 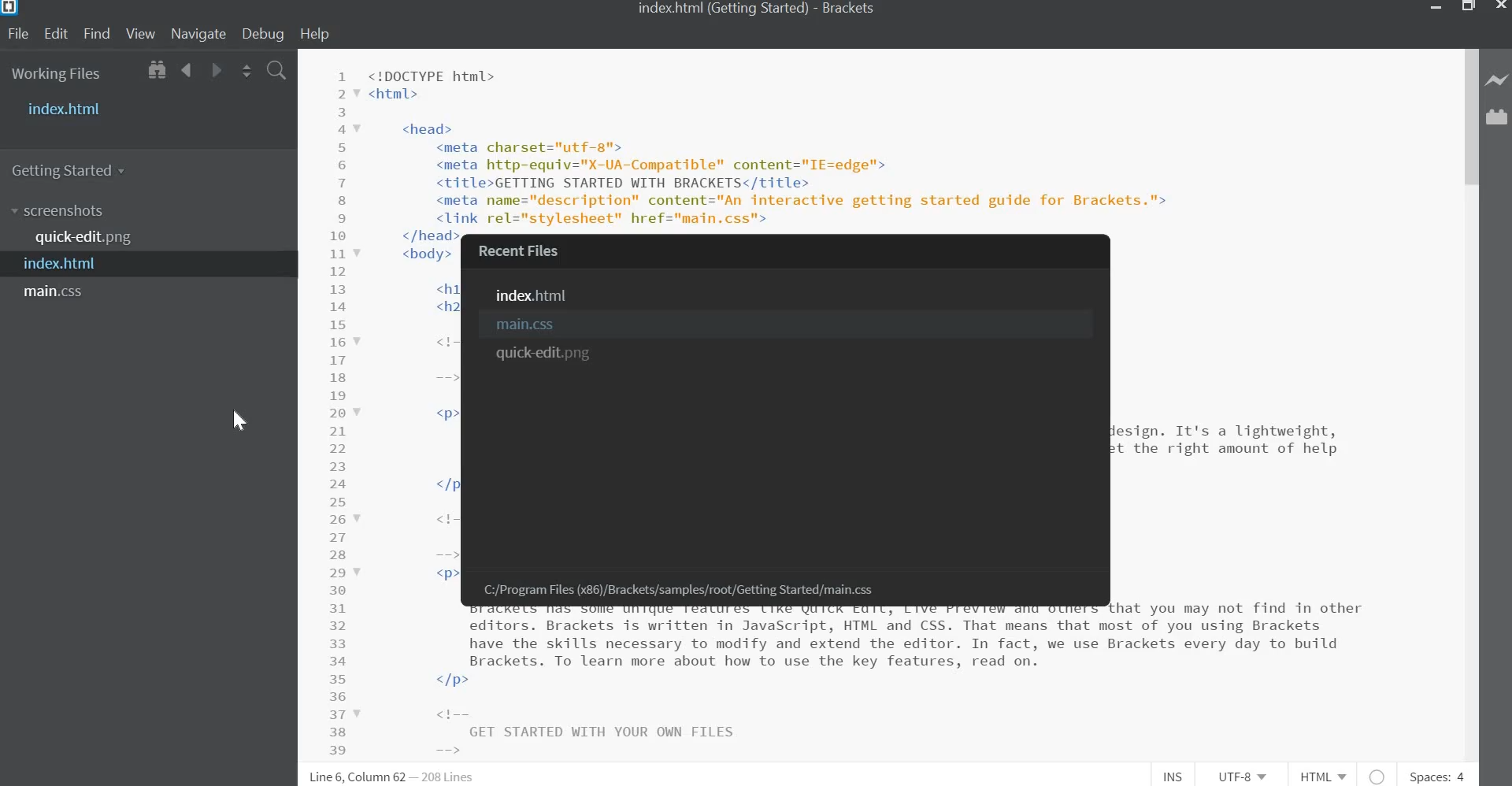 What do you see at coordinates (11, 10) in the screenshot?
I see `Bracket Desktop icon` at bounding box center [11, 10].